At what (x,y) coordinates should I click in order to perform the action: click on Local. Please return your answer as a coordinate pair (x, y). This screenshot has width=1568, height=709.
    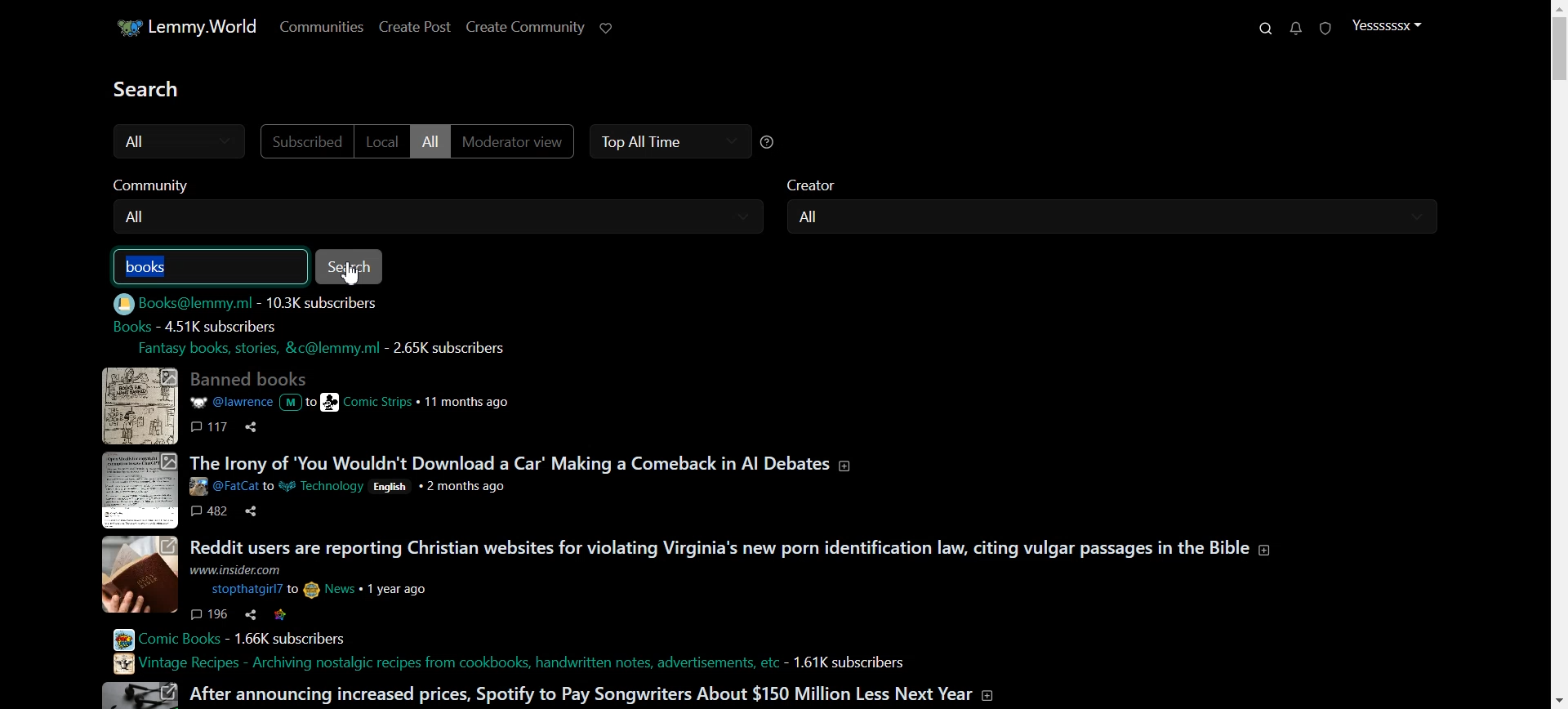
    Looking at the image, I should click on (389, 142).